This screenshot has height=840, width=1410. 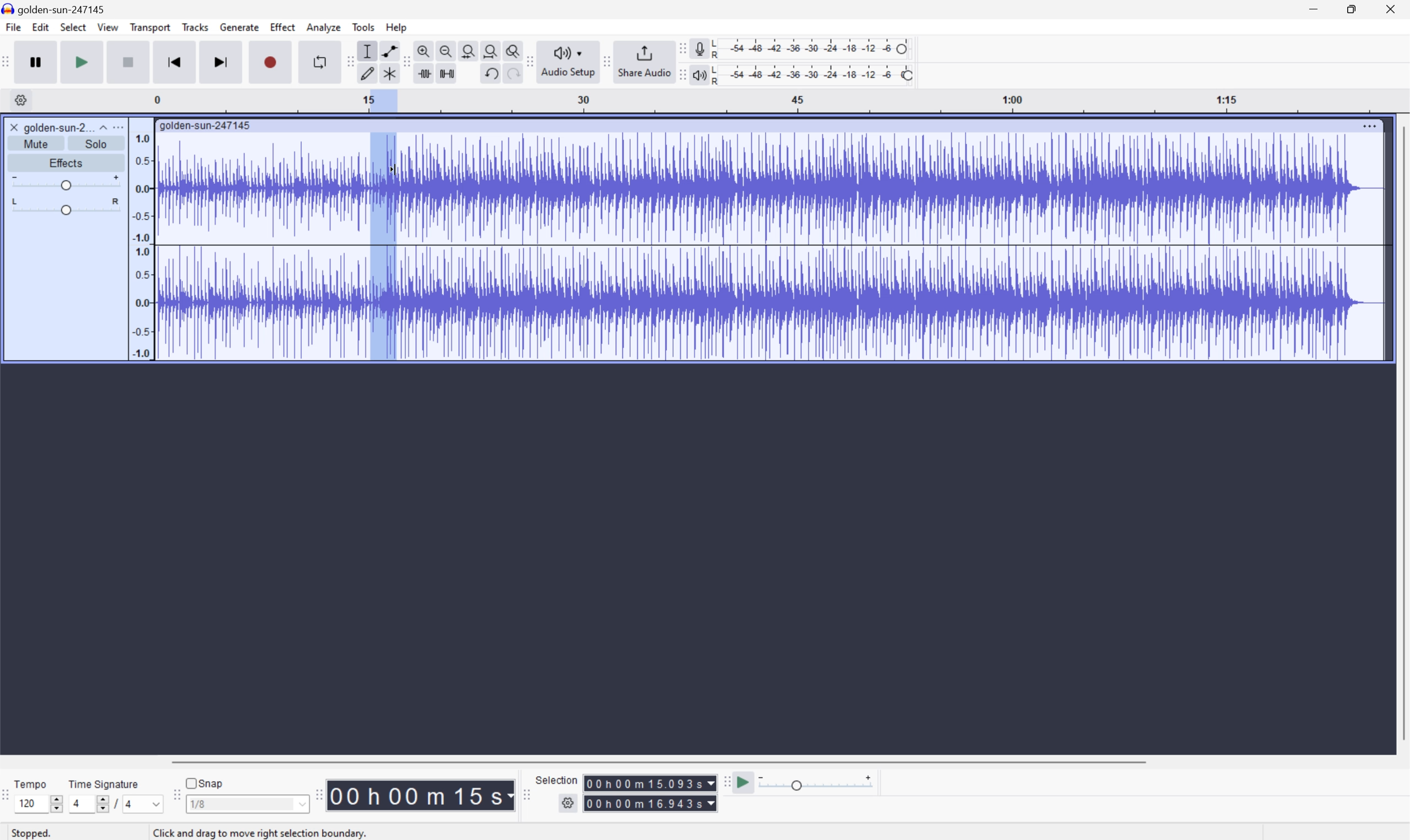 What do you see at coordinates (195, 27) in the screenshot?
I see `Tracks` at bounding box center [195, 27].